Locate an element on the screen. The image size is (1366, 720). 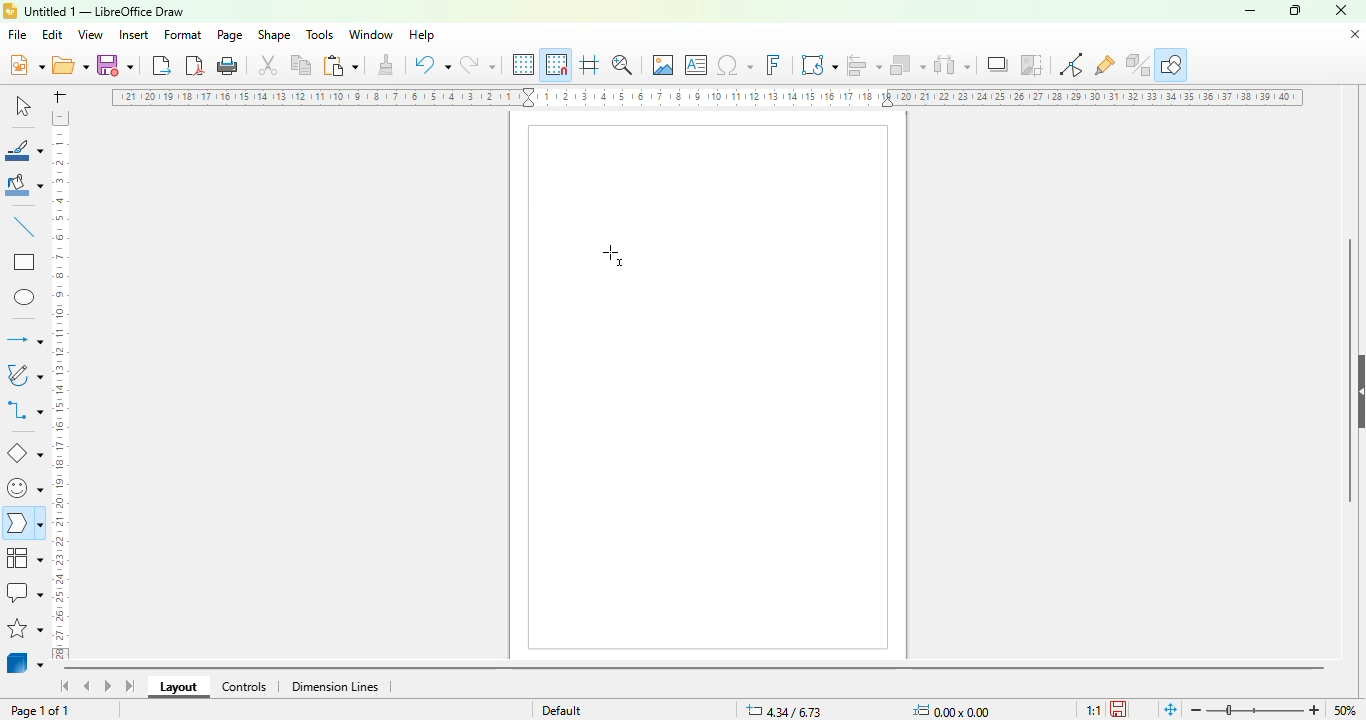
cursor is located at coordinates (613, 255).